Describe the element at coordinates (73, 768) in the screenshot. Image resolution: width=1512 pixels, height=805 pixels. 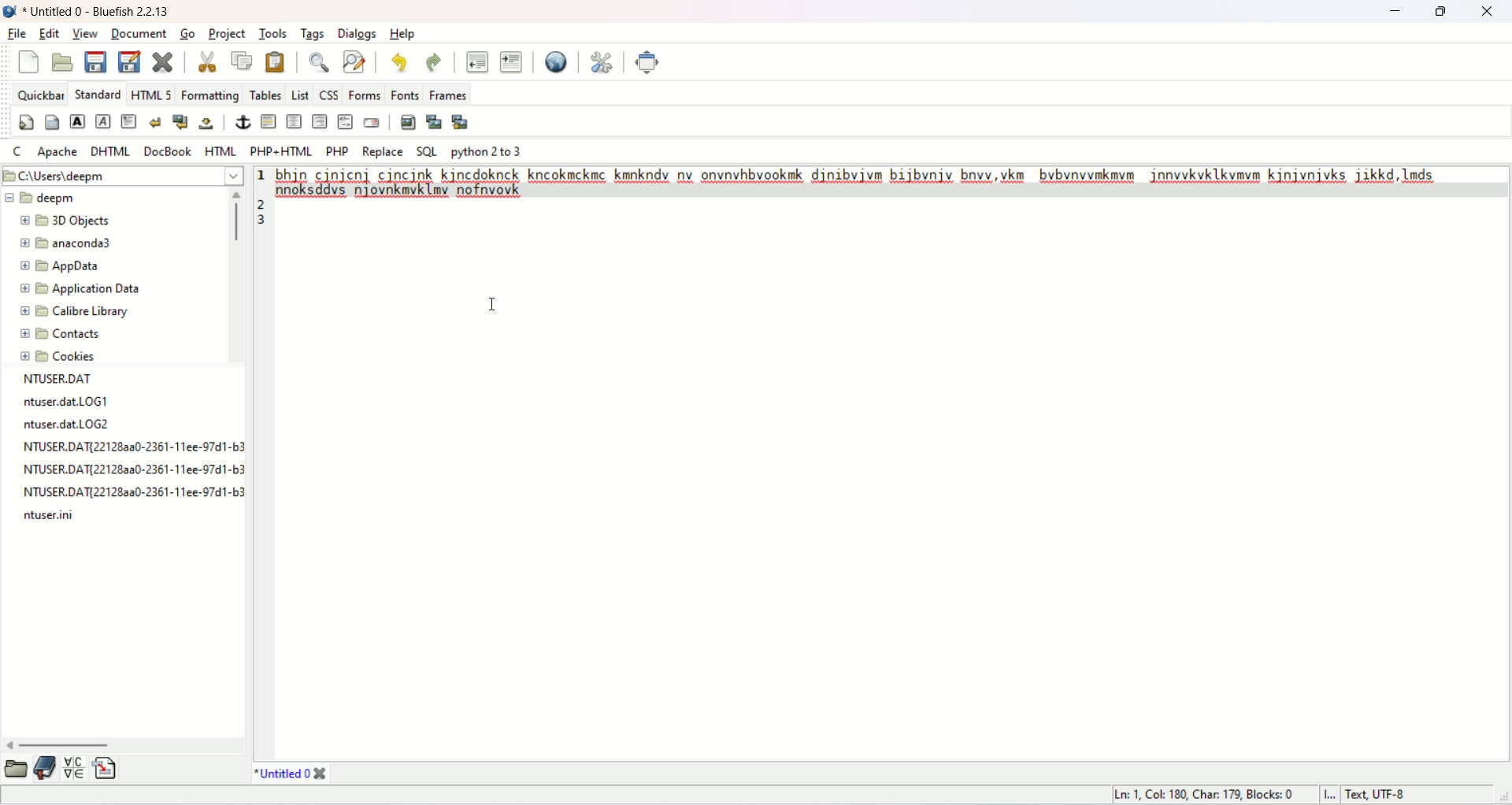
I see `insert special character` at that location.